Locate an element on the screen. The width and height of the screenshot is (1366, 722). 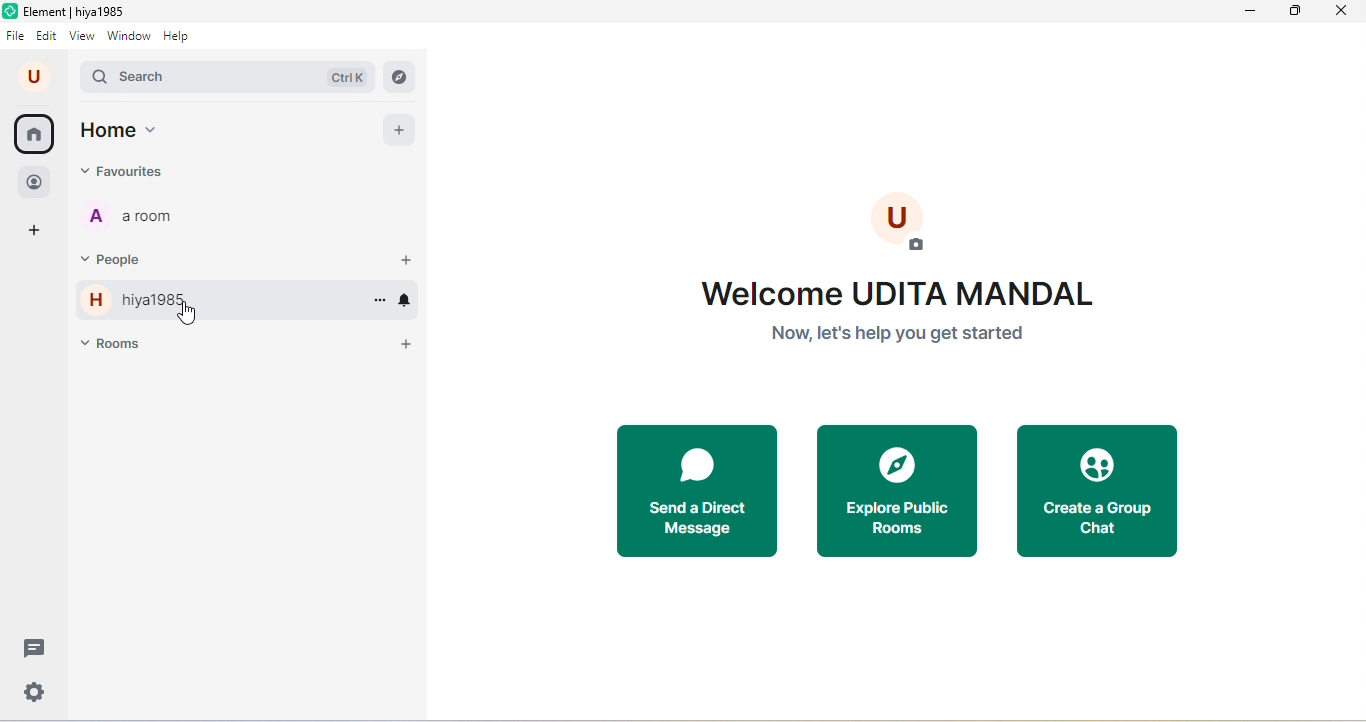
explore rooms is located at coordinates (400, 76).